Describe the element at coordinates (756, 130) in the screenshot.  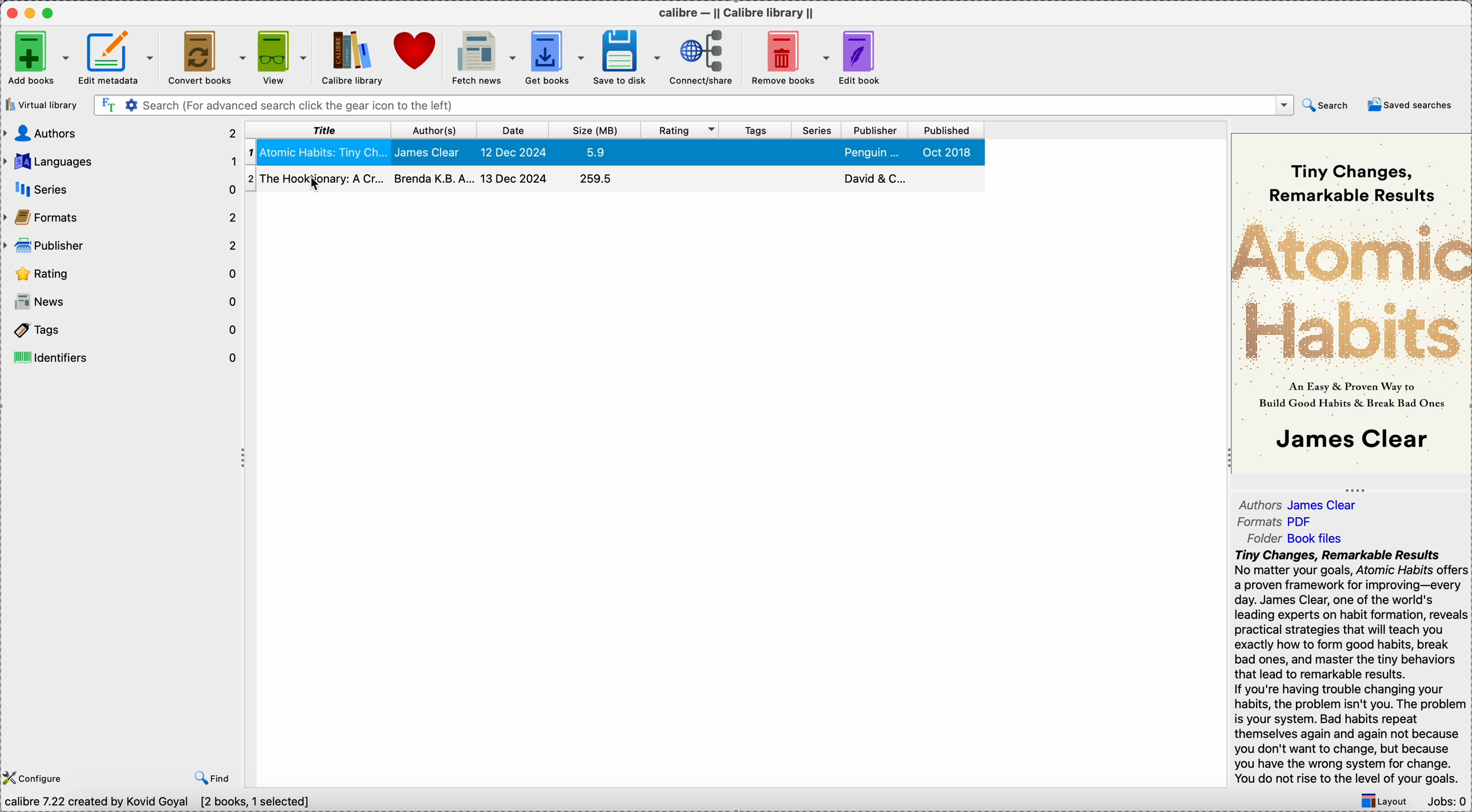
I see `tags` at that location.